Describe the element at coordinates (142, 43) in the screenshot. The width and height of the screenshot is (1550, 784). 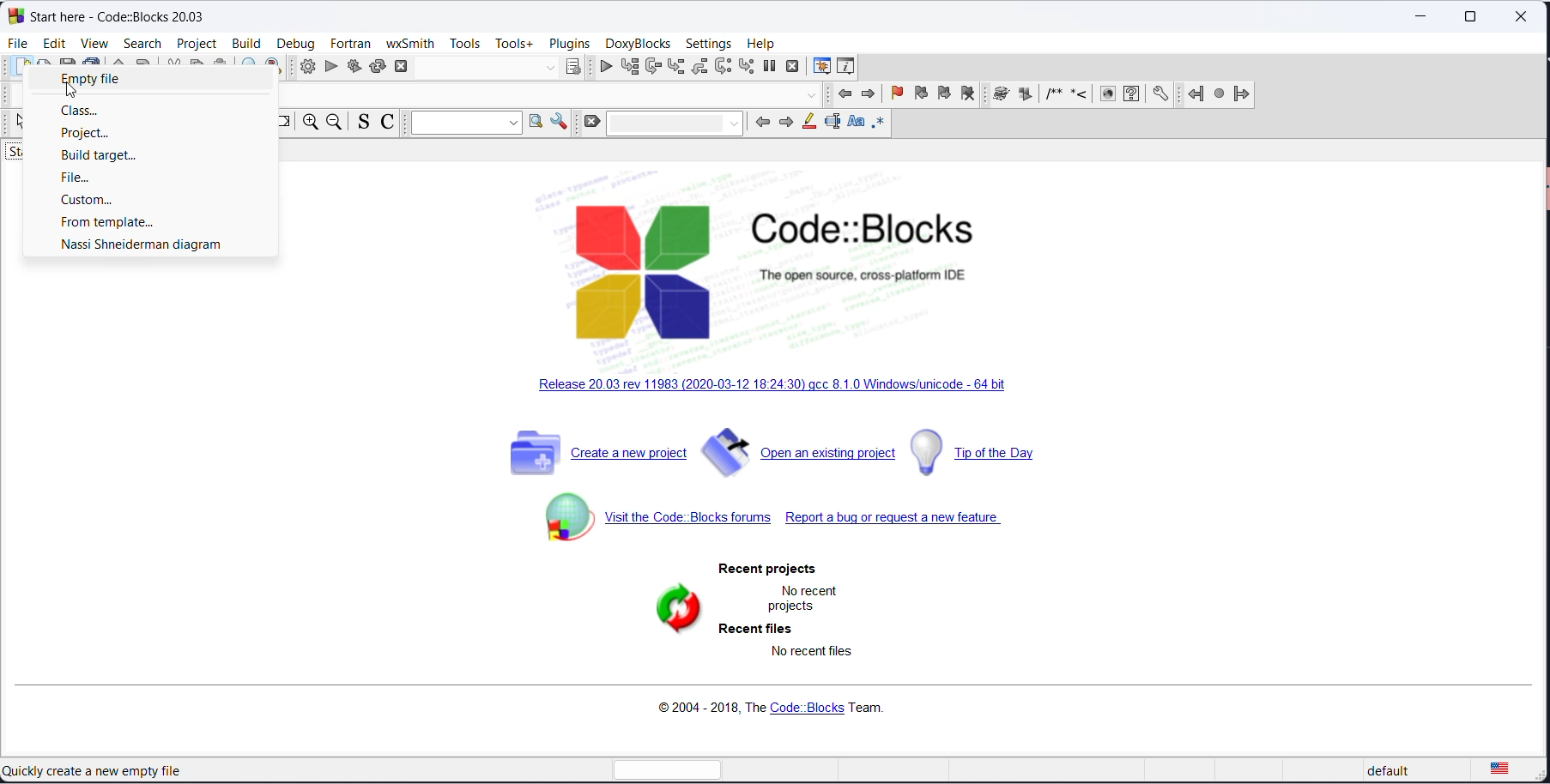
I see `Search` at that location.